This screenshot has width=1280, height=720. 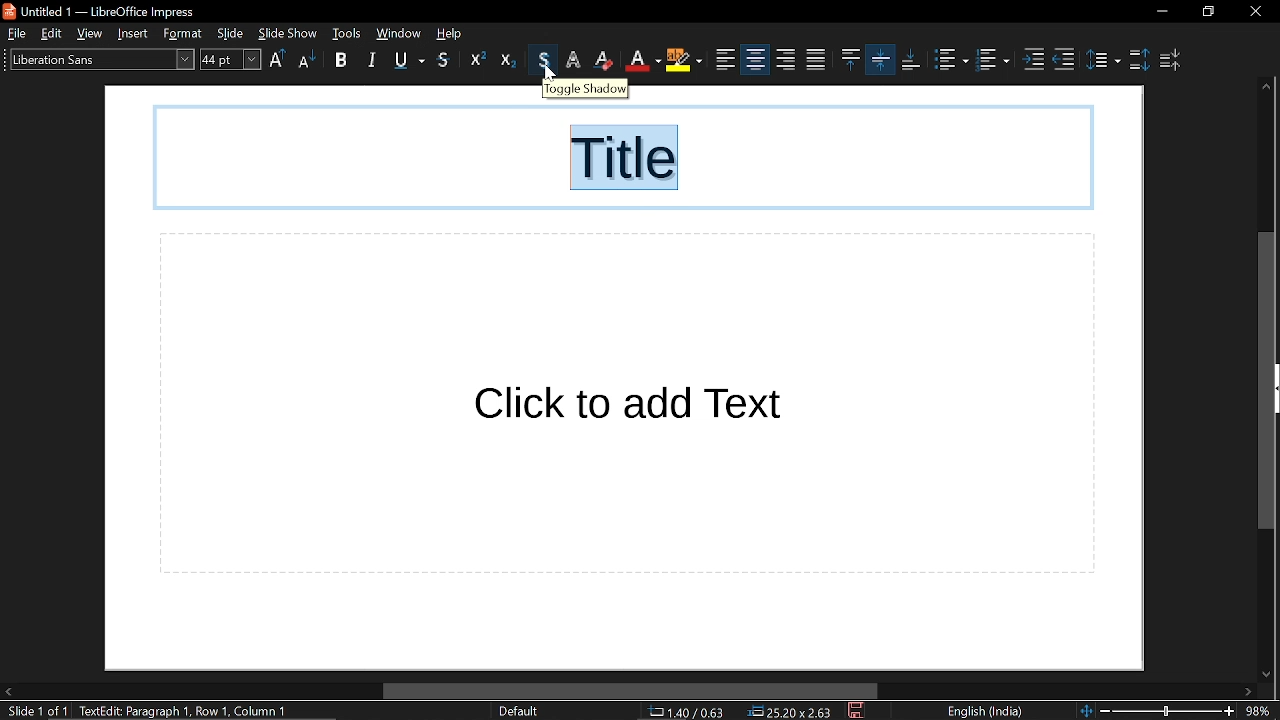 I want to click on edit, so click(x=54, y=34).